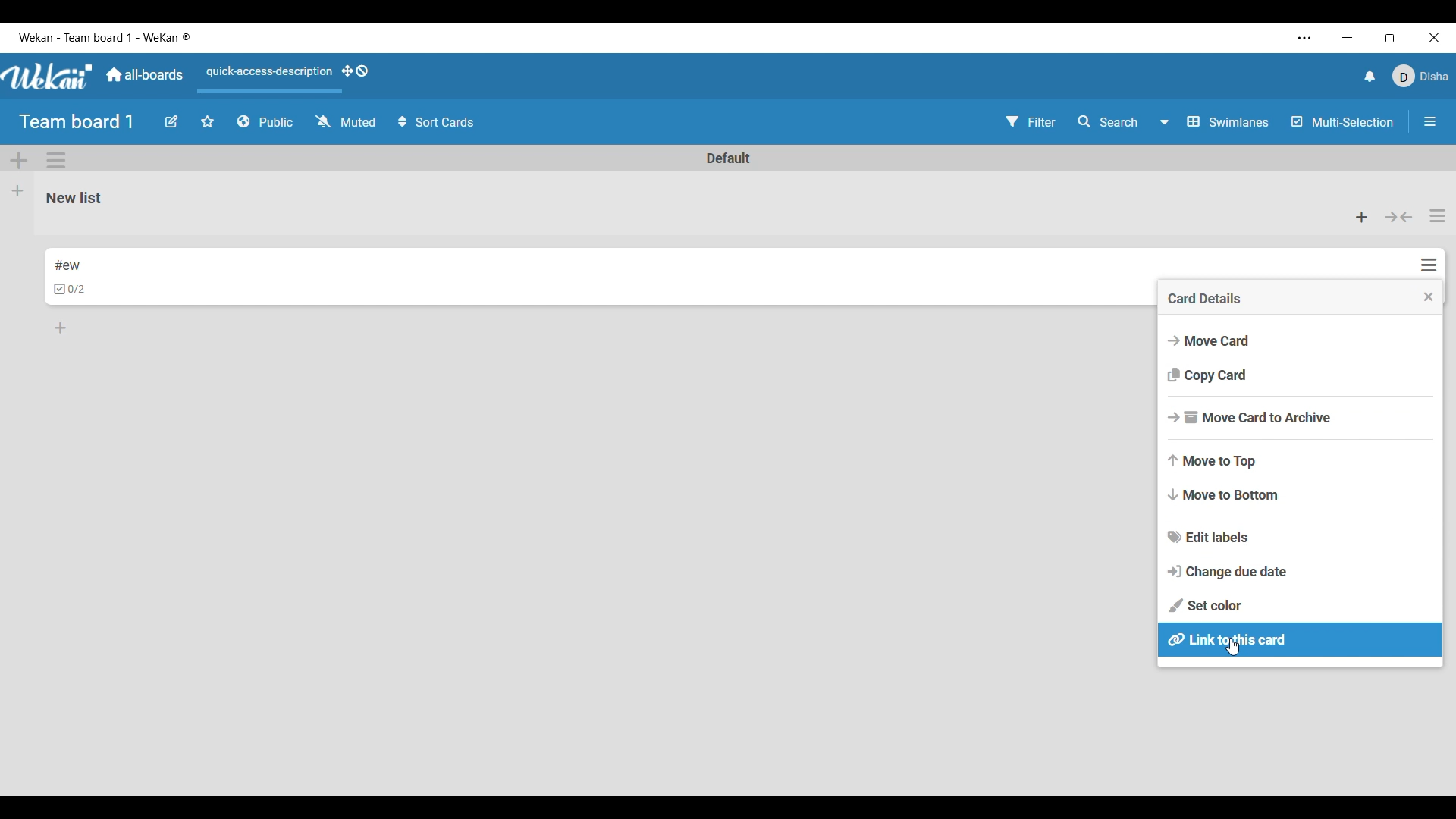 The width and height of the screenshot is (1456, 819). Describe the element at coordinates (1301, 418) in the screenshot. I see `Move card to archive` at that location.